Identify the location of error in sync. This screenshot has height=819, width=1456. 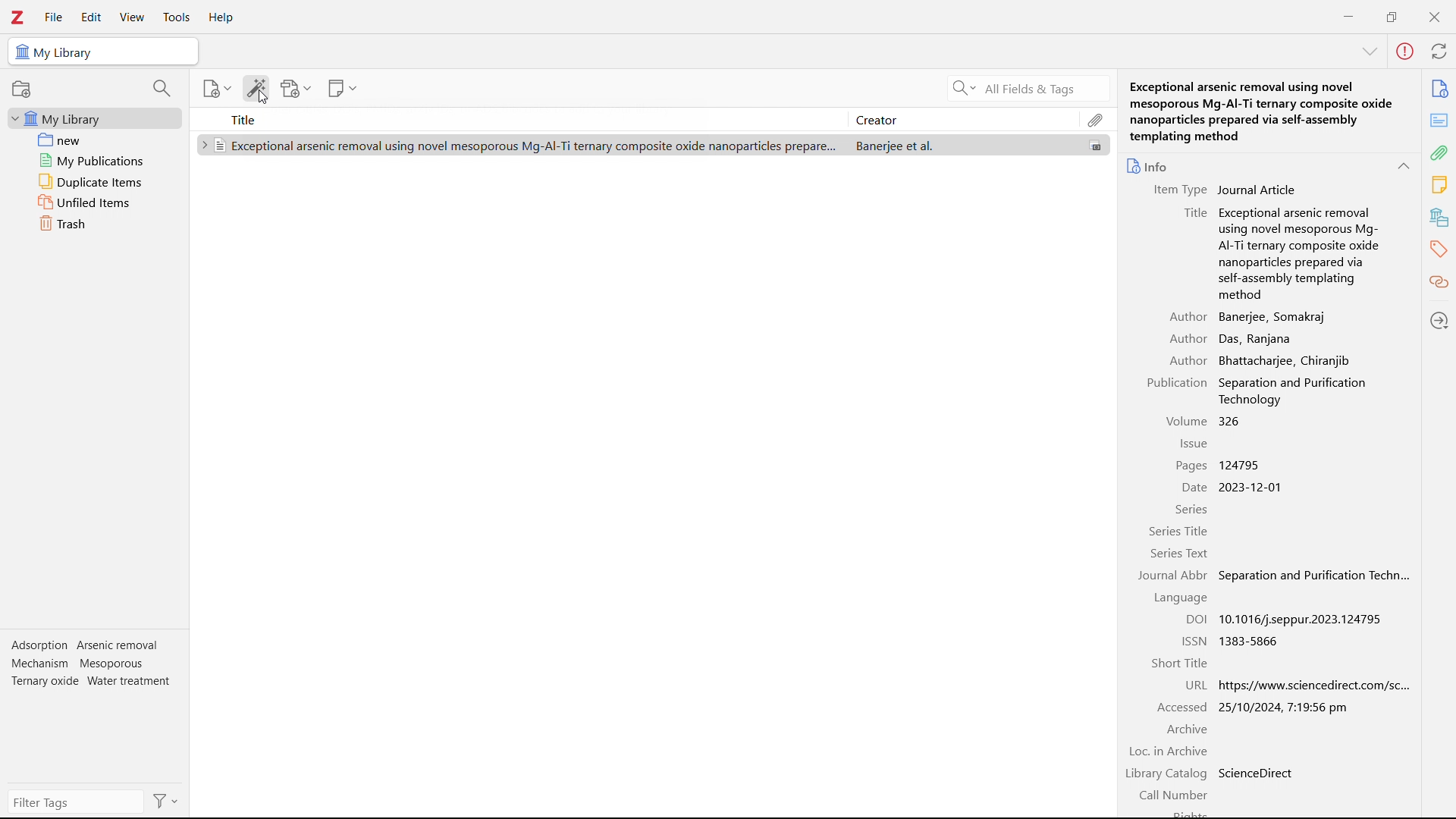
(1404, 52).